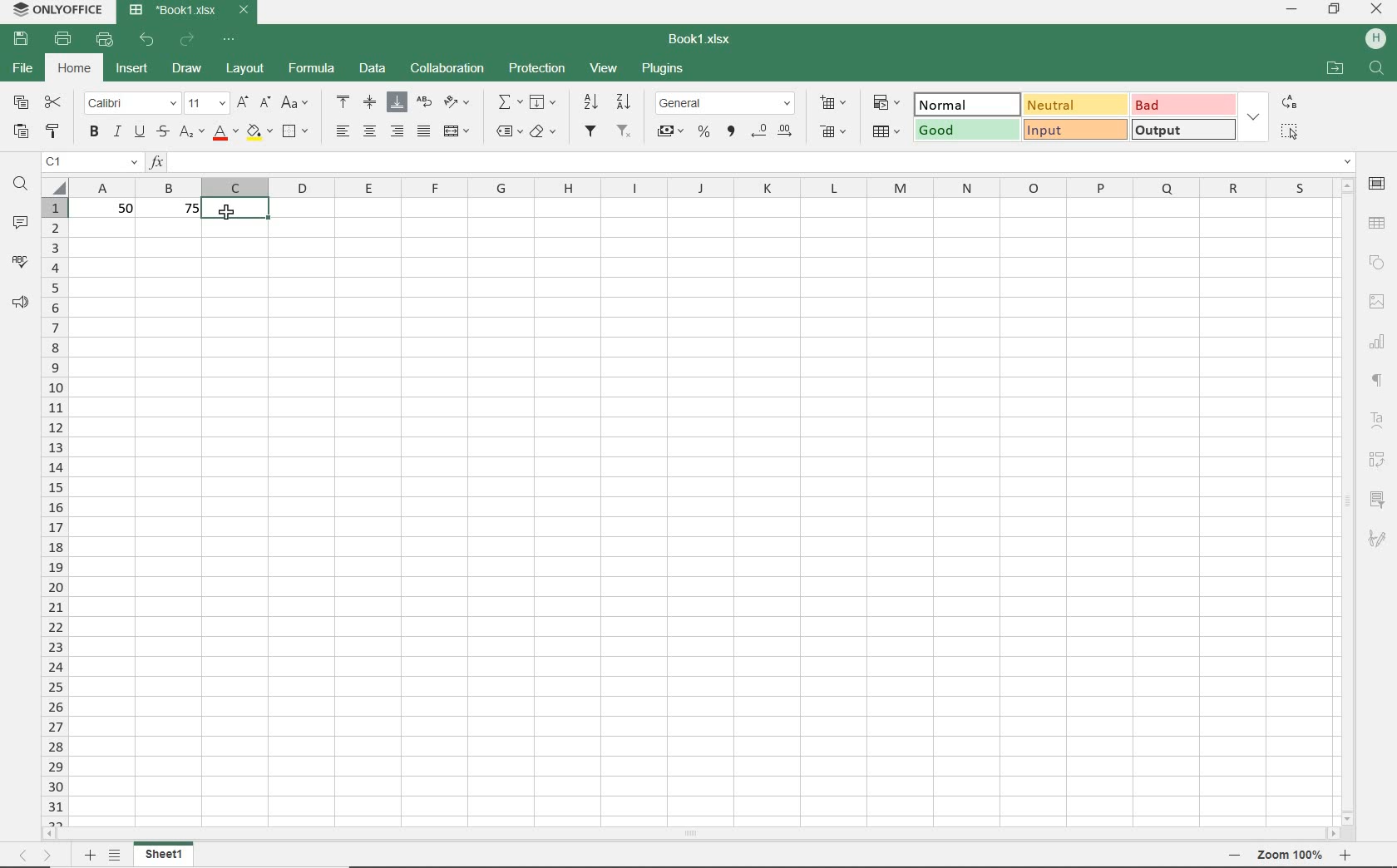 The height and width of the screenshot is (868, 1397). Describe the element at coordinates (259, 133) in the screenshot. I see `fill color` at that location.